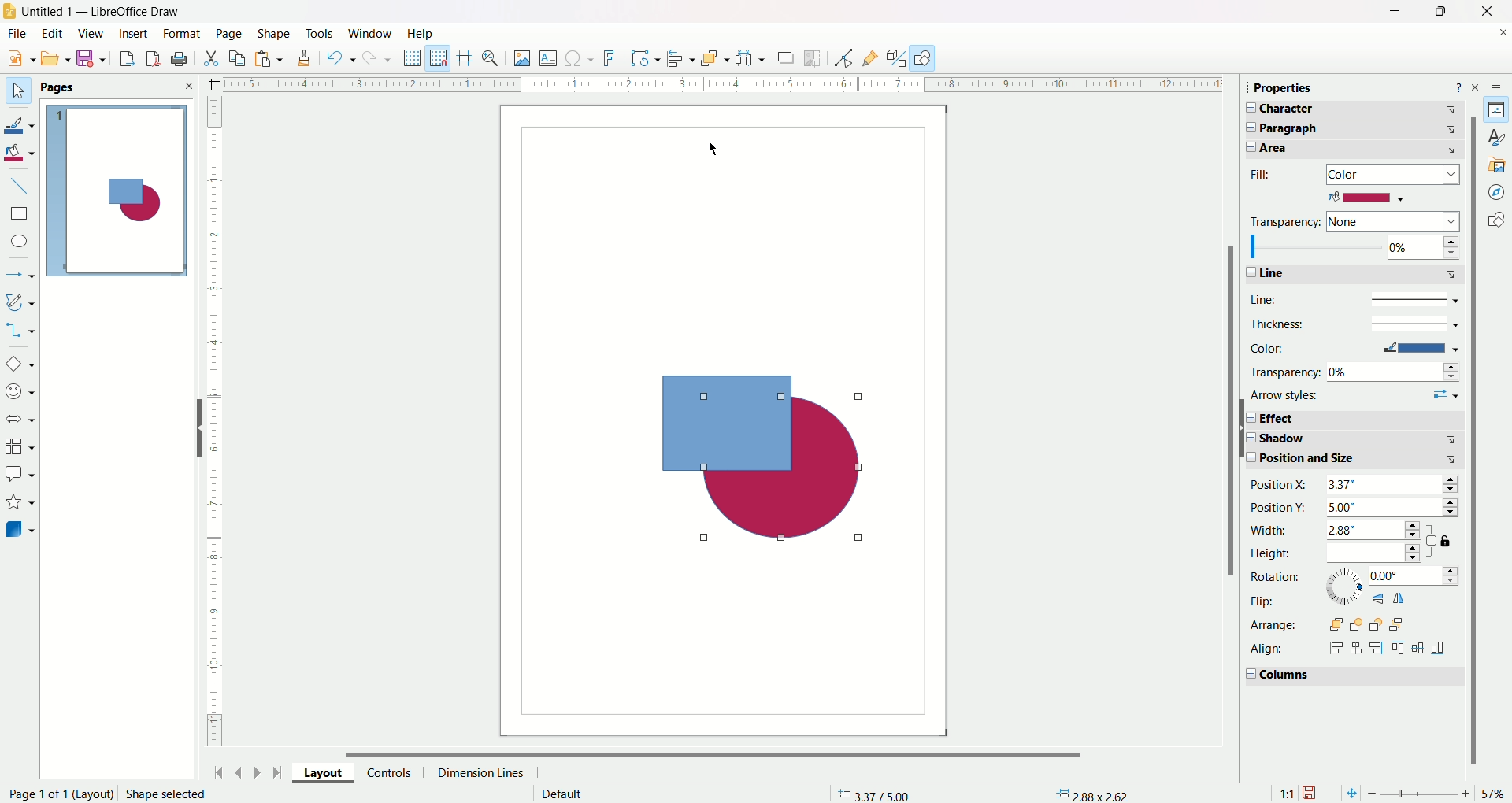  What do you see at coordinates (815, 58) in the screenshot?
I see `crop image` at bounding box center [815, 58].